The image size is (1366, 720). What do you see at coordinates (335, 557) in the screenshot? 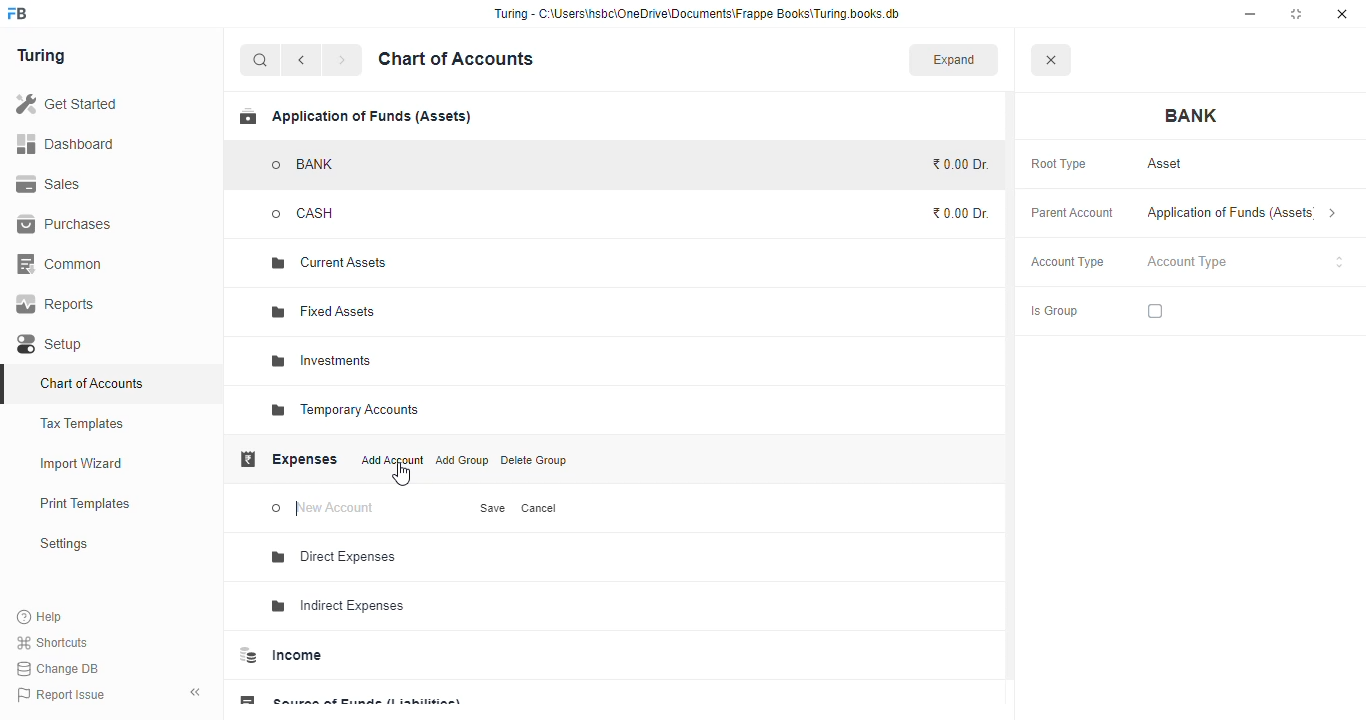
I see `direct expenses` at bounding box center [335, 557].